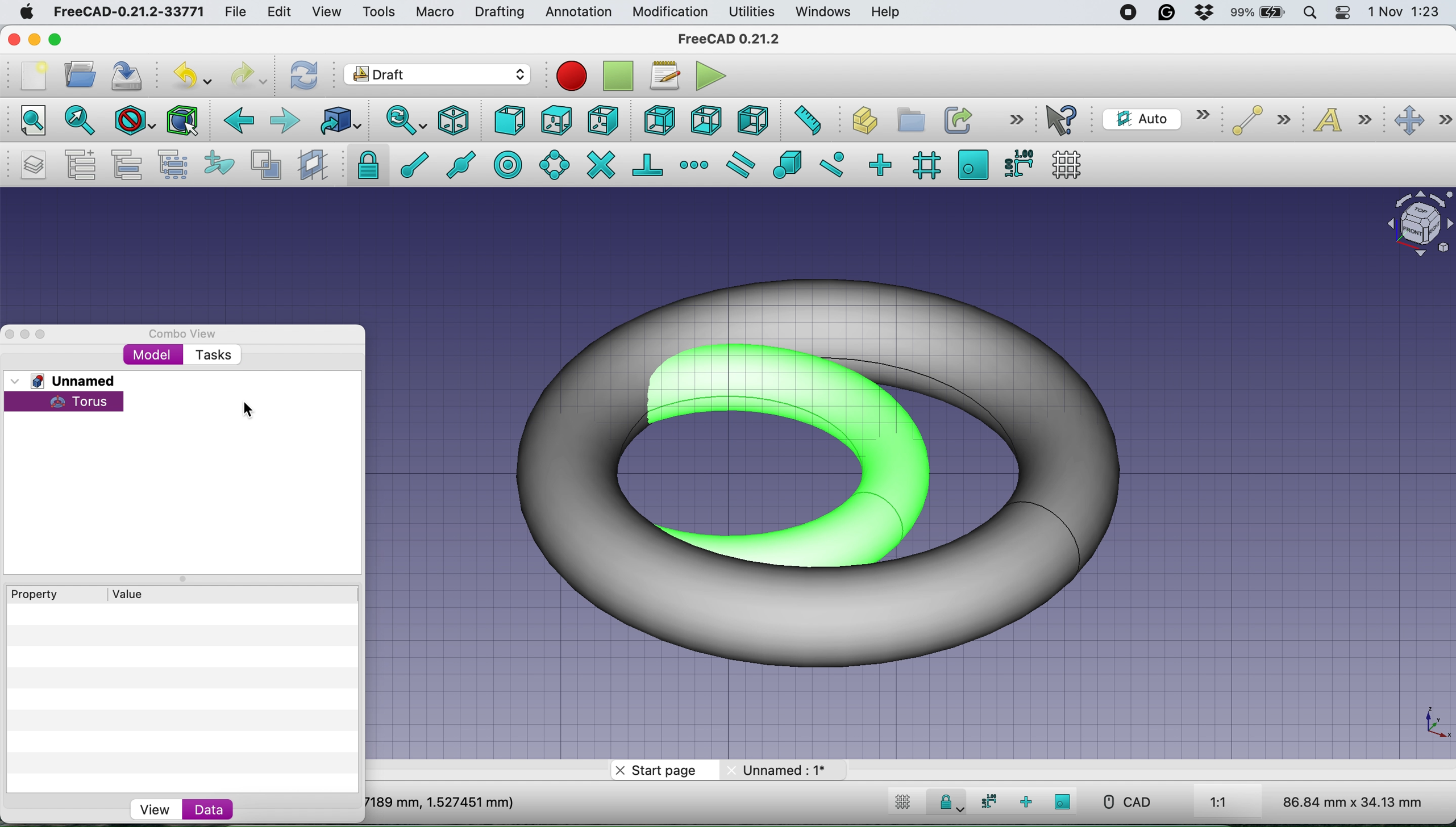 This screenshot has height=827, width=1456. Describe the element at coordinates (1414, 224) in the screenshot. I see `Navigation Cube` at that location.